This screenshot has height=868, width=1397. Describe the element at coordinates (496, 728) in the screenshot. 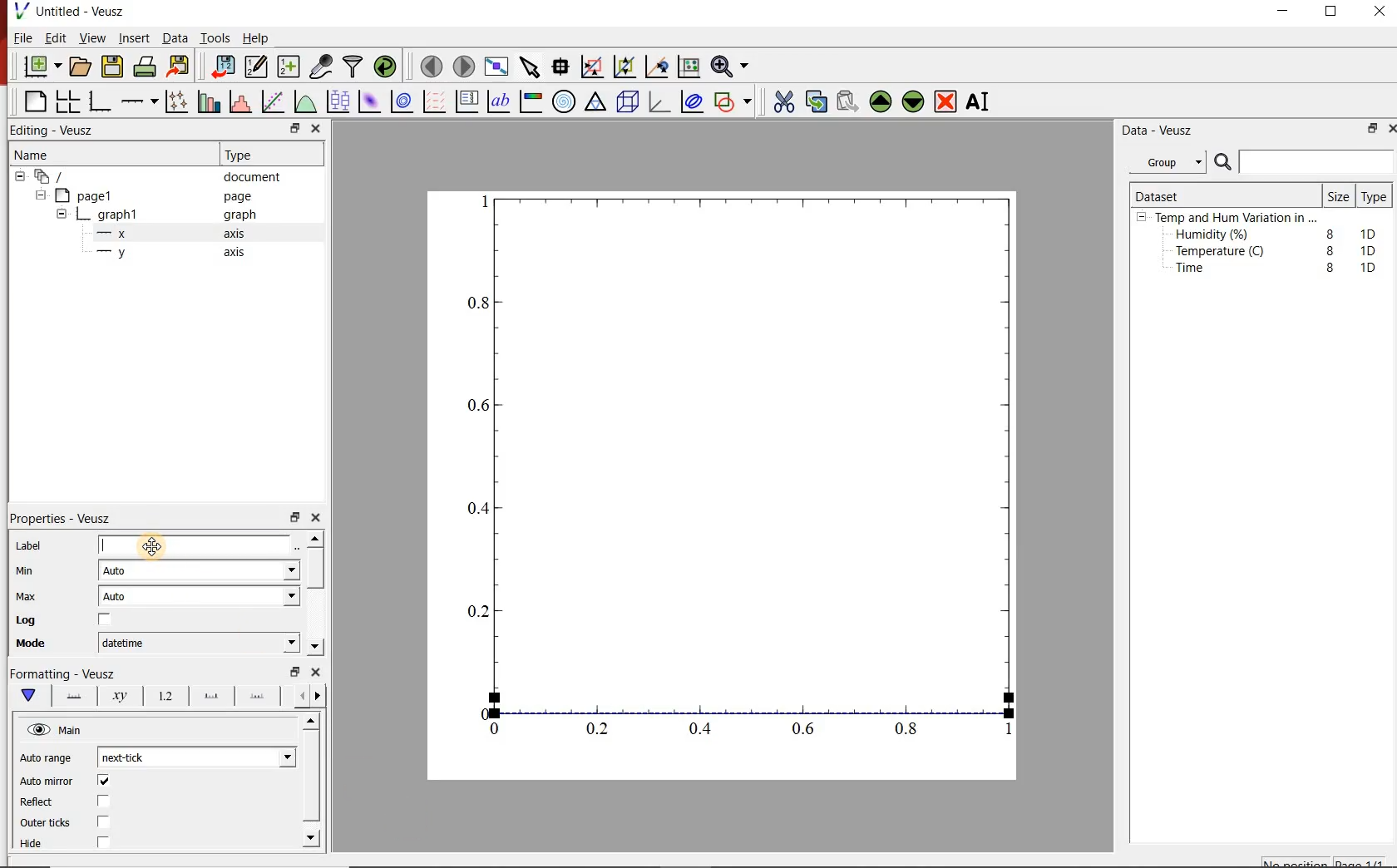

I see `0` at that location.